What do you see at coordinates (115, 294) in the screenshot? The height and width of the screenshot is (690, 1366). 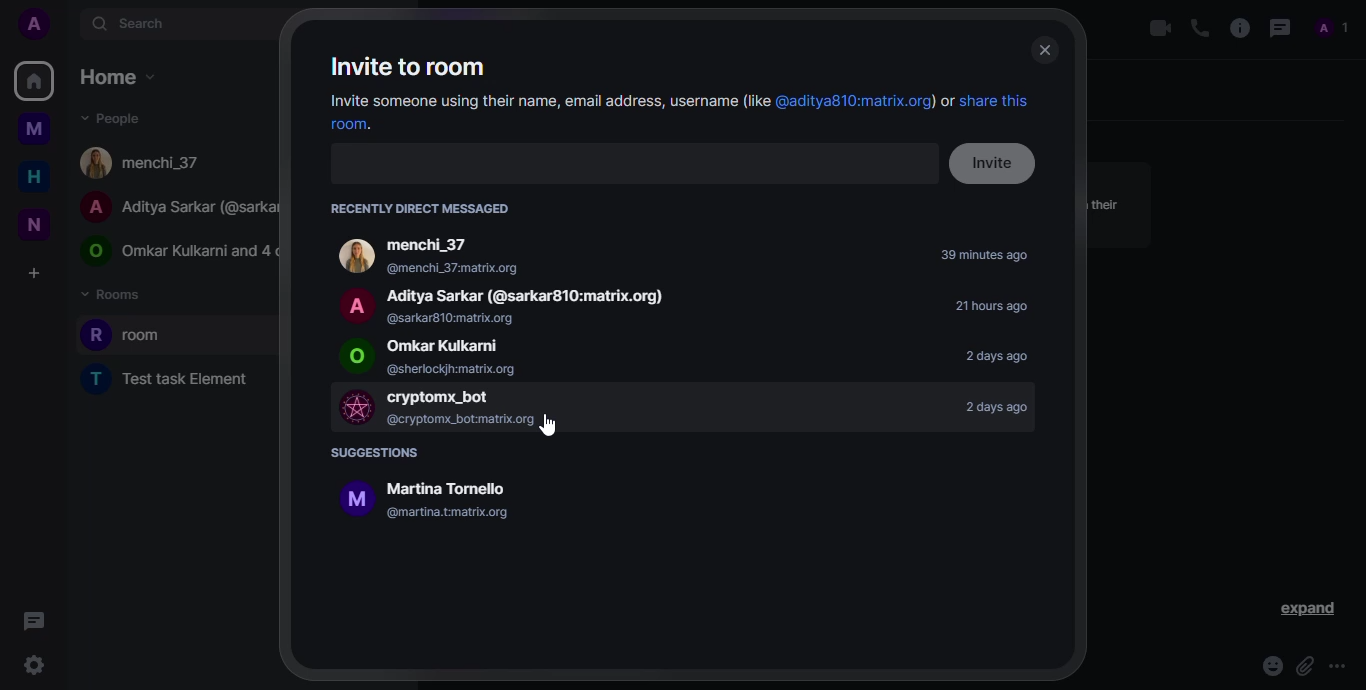 I see `rooms` at bounding box center [115, 294].